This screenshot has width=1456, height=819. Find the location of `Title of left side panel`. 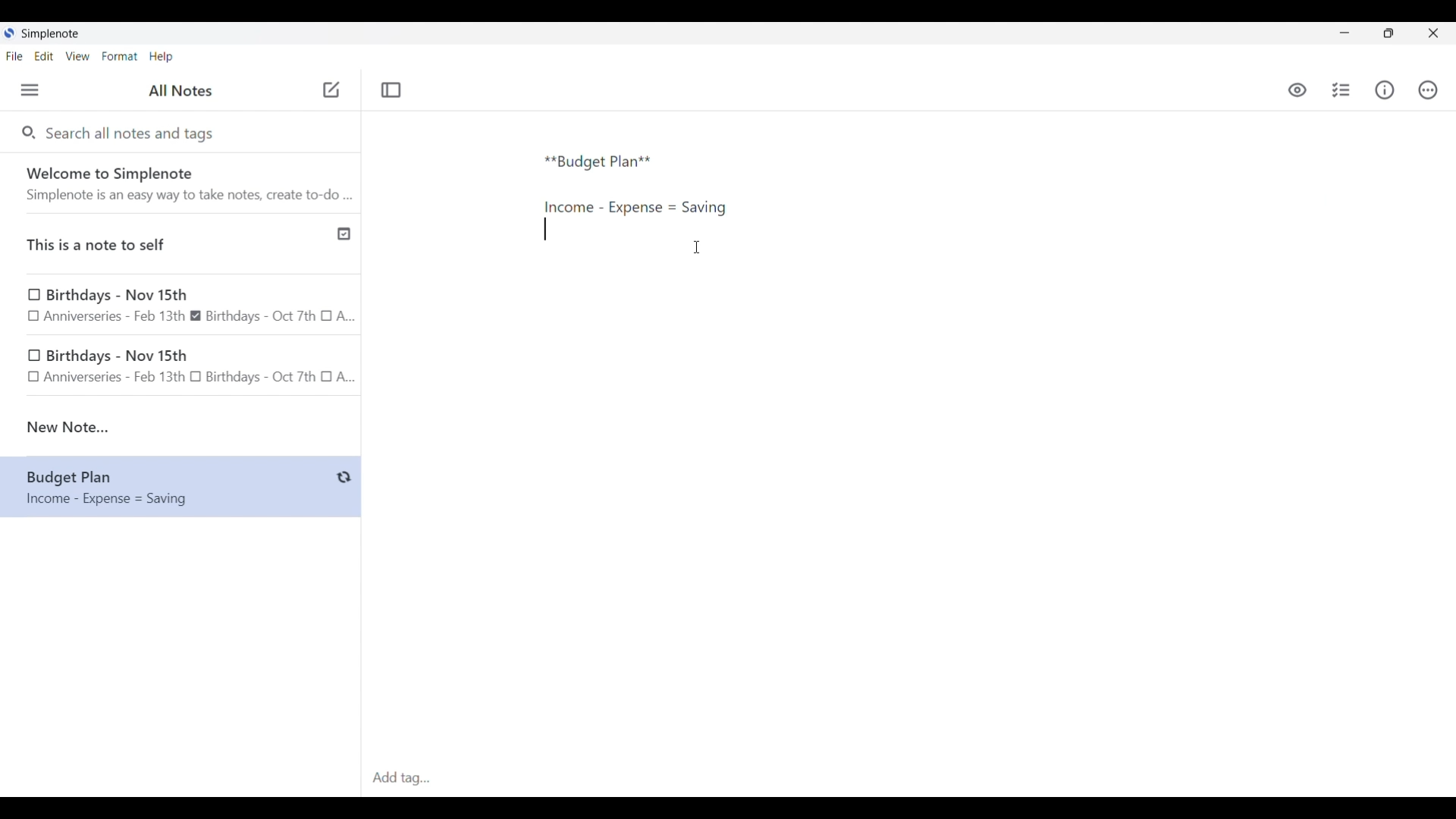

Title of left side panel is located at coordinates (180, 91).